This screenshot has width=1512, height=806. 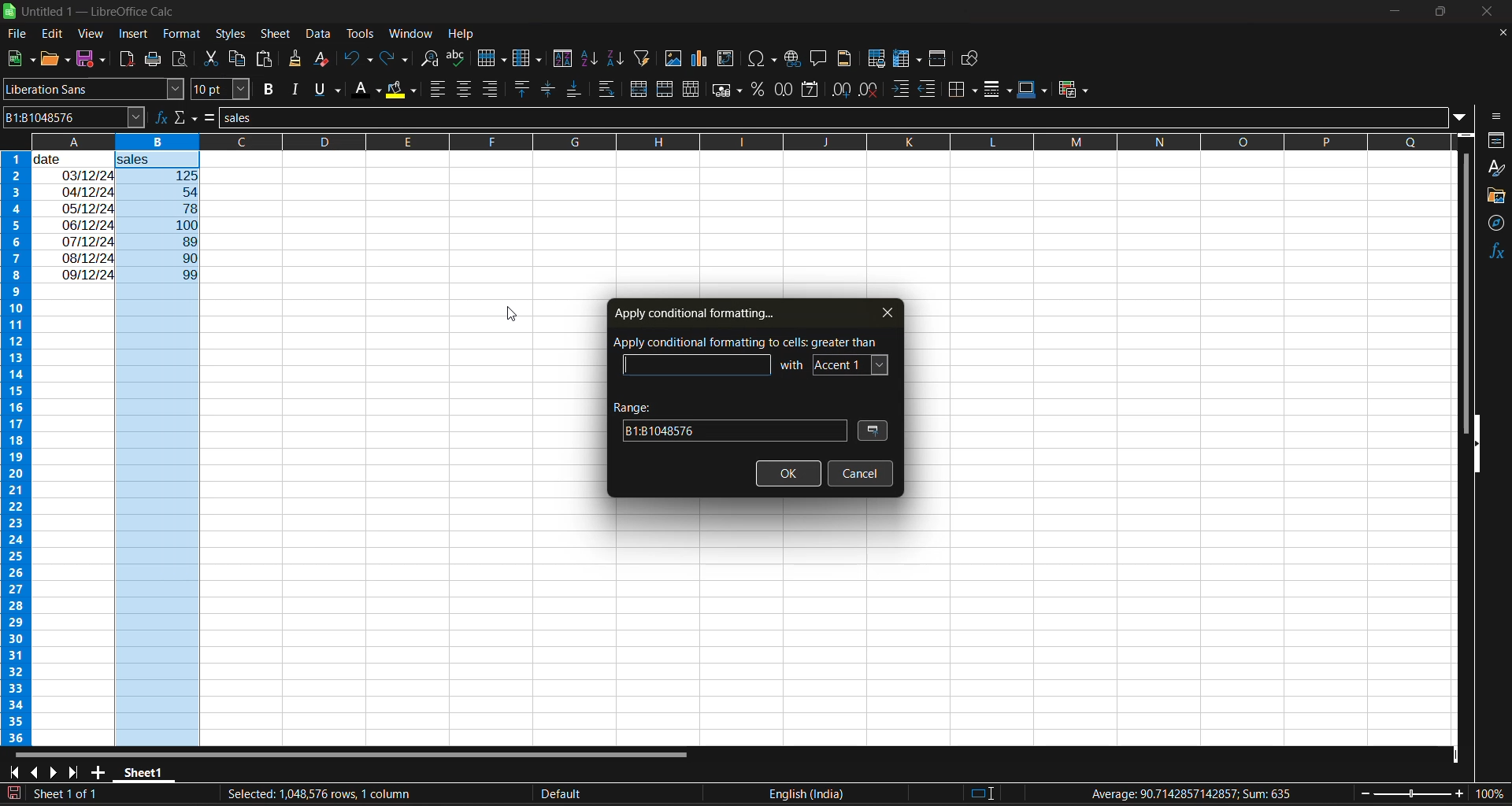 I want to click on font name, so click(x=93, y=89).